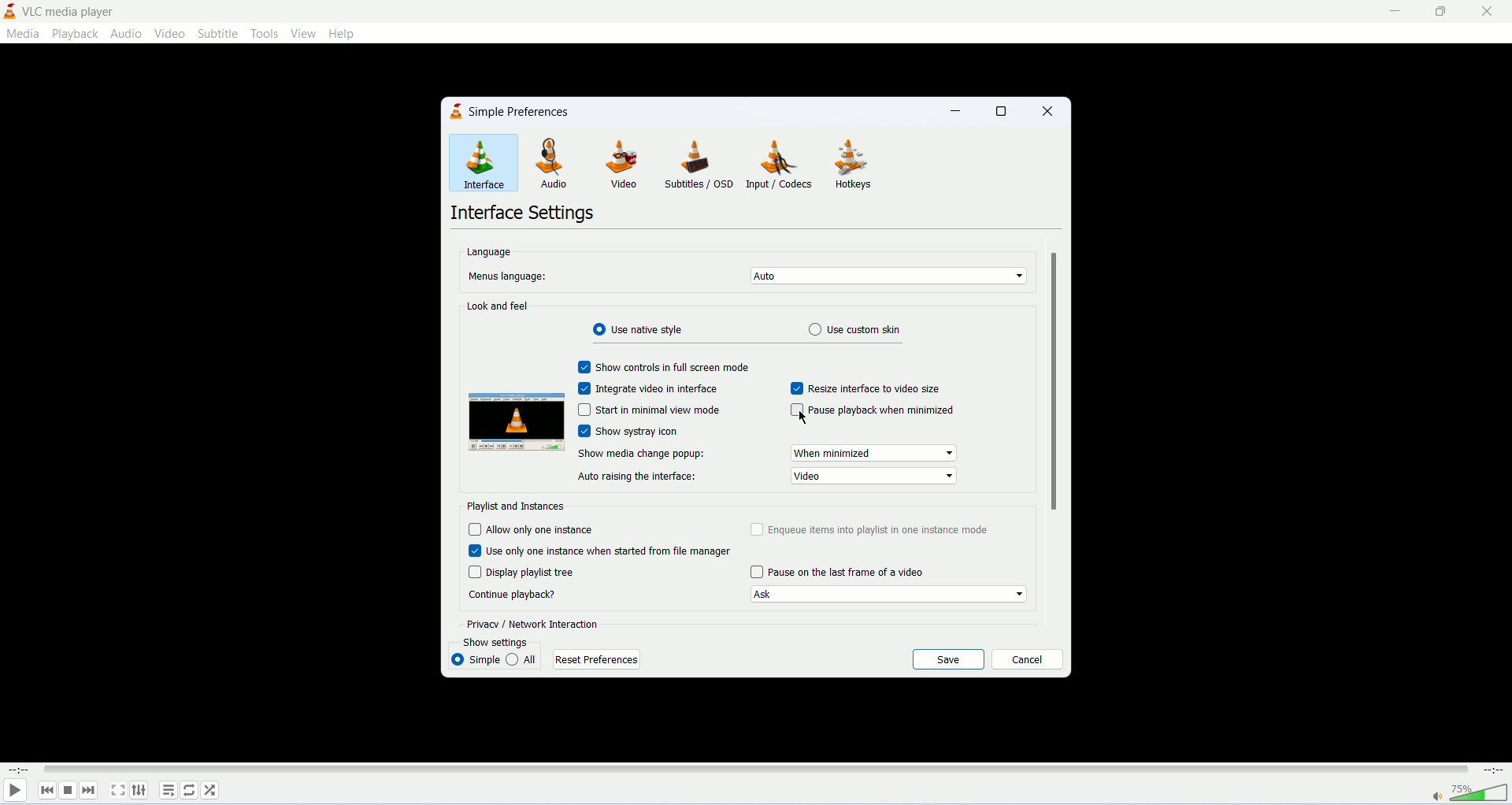 The image size is (1512, 805). What do you see at coordinates (126, 34) in the screenshot?
I see `audio` at bounding box center [126, 34].